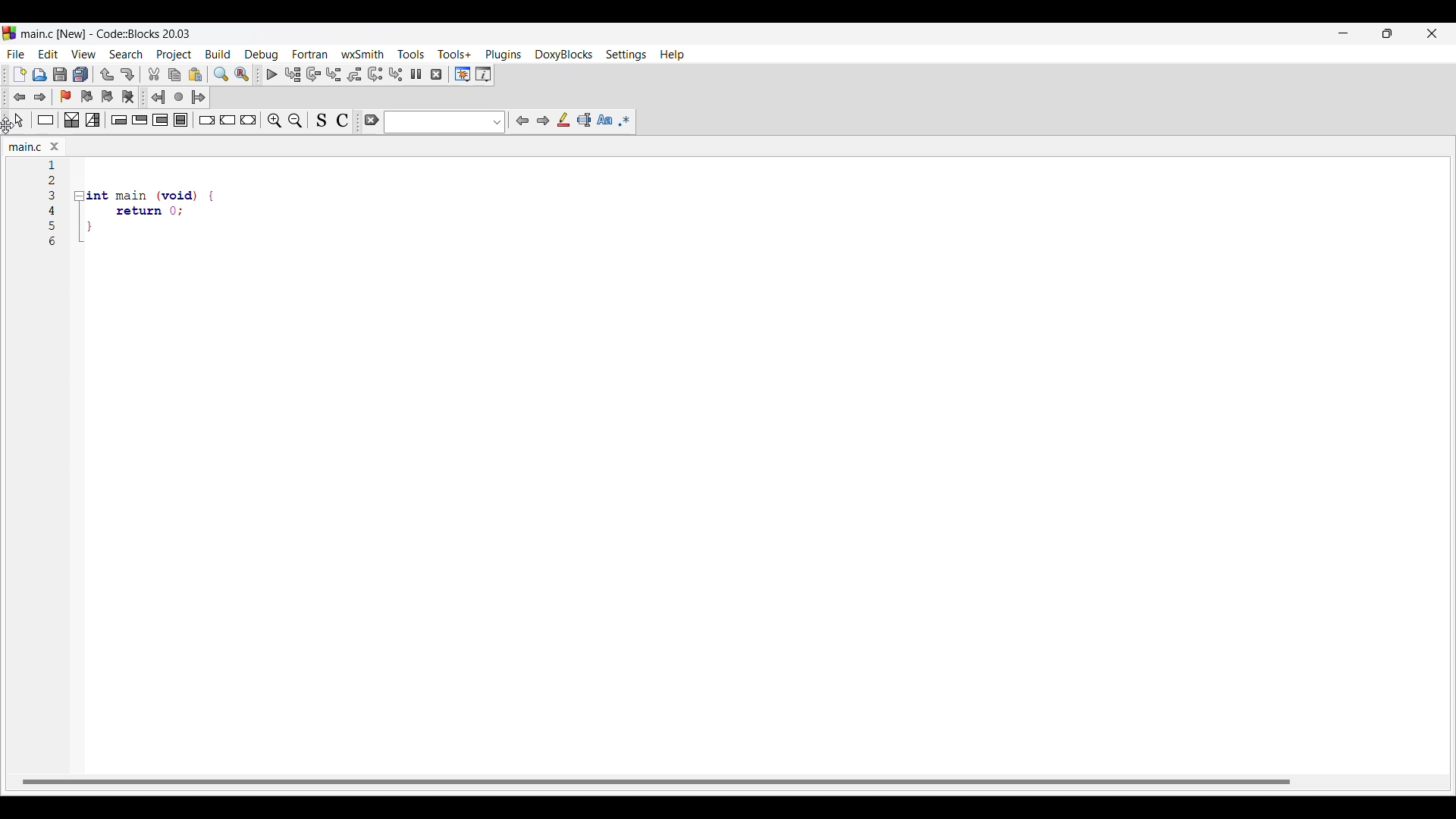 This screenshot has height=819, width=1456. I want to click on Next bookmark, so click(107, 96).